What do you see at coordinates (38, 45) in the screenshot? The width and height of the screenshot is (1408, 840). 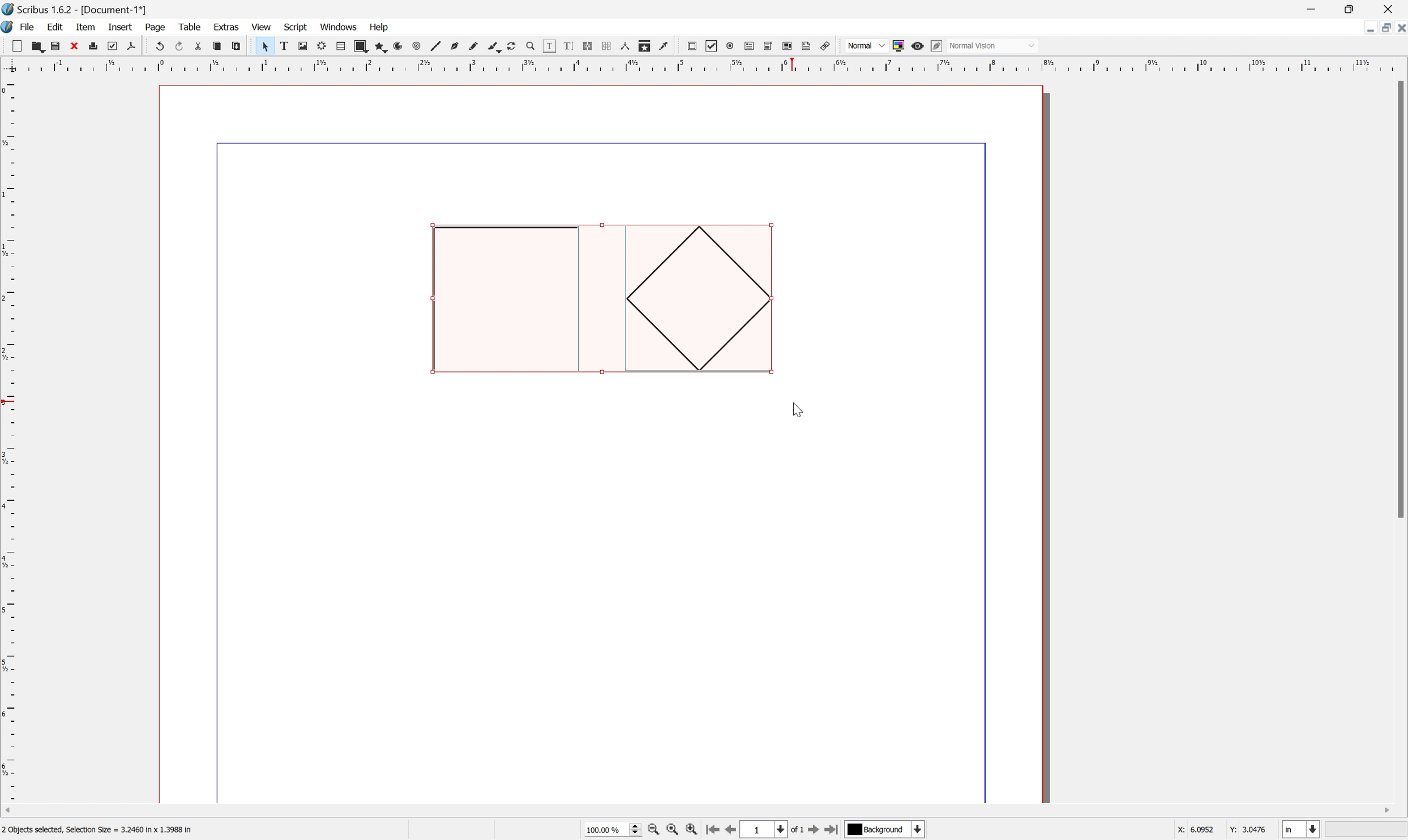 I see `open` at bounding box center [38, 45].